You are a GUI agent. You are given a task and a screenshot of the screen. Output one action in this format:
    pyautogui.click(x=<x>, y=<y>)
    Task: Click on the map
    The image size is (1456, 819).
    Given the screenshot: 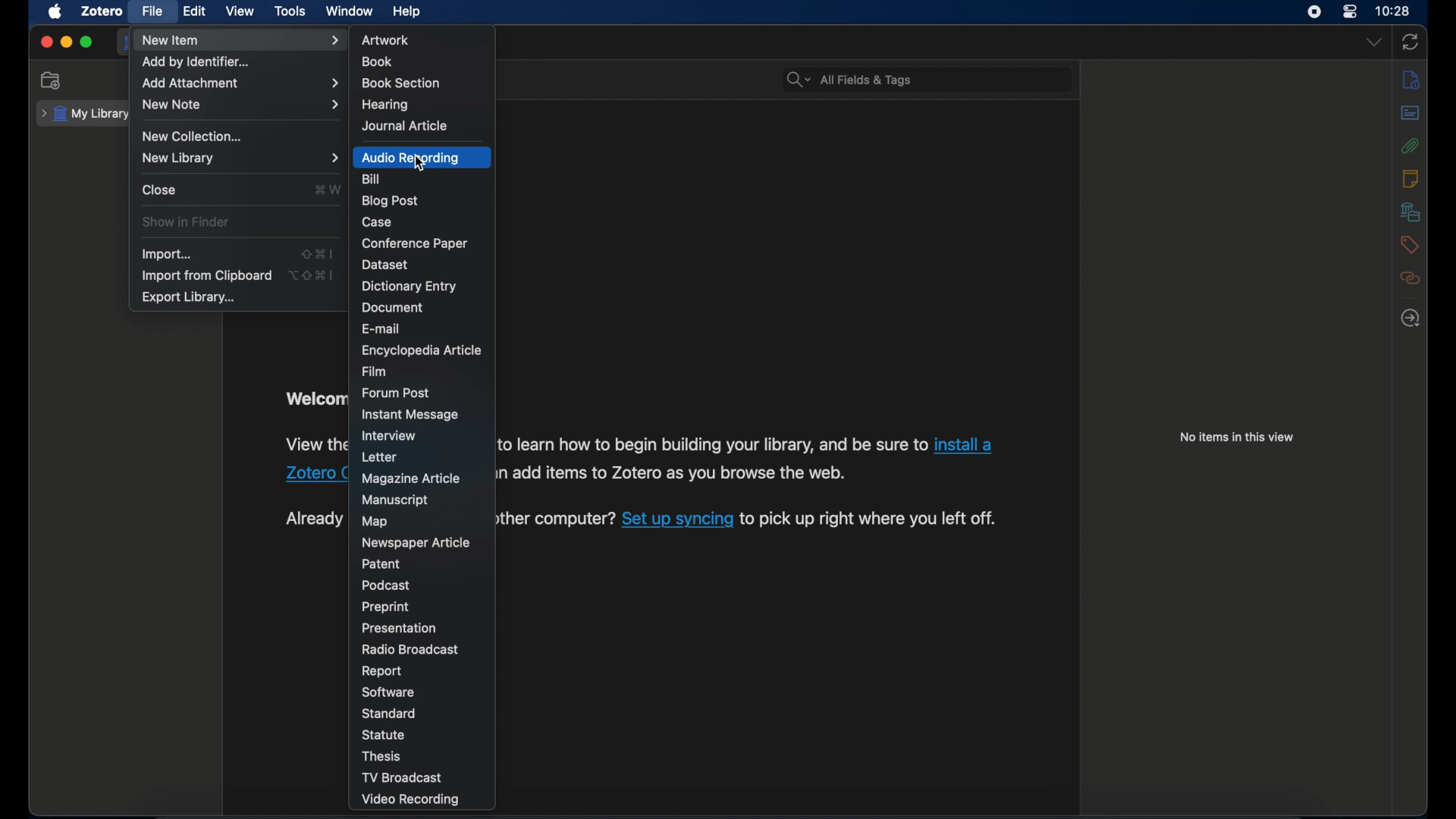 What is the action you would take?
    pyautogui.click(x=376, y=522)
    